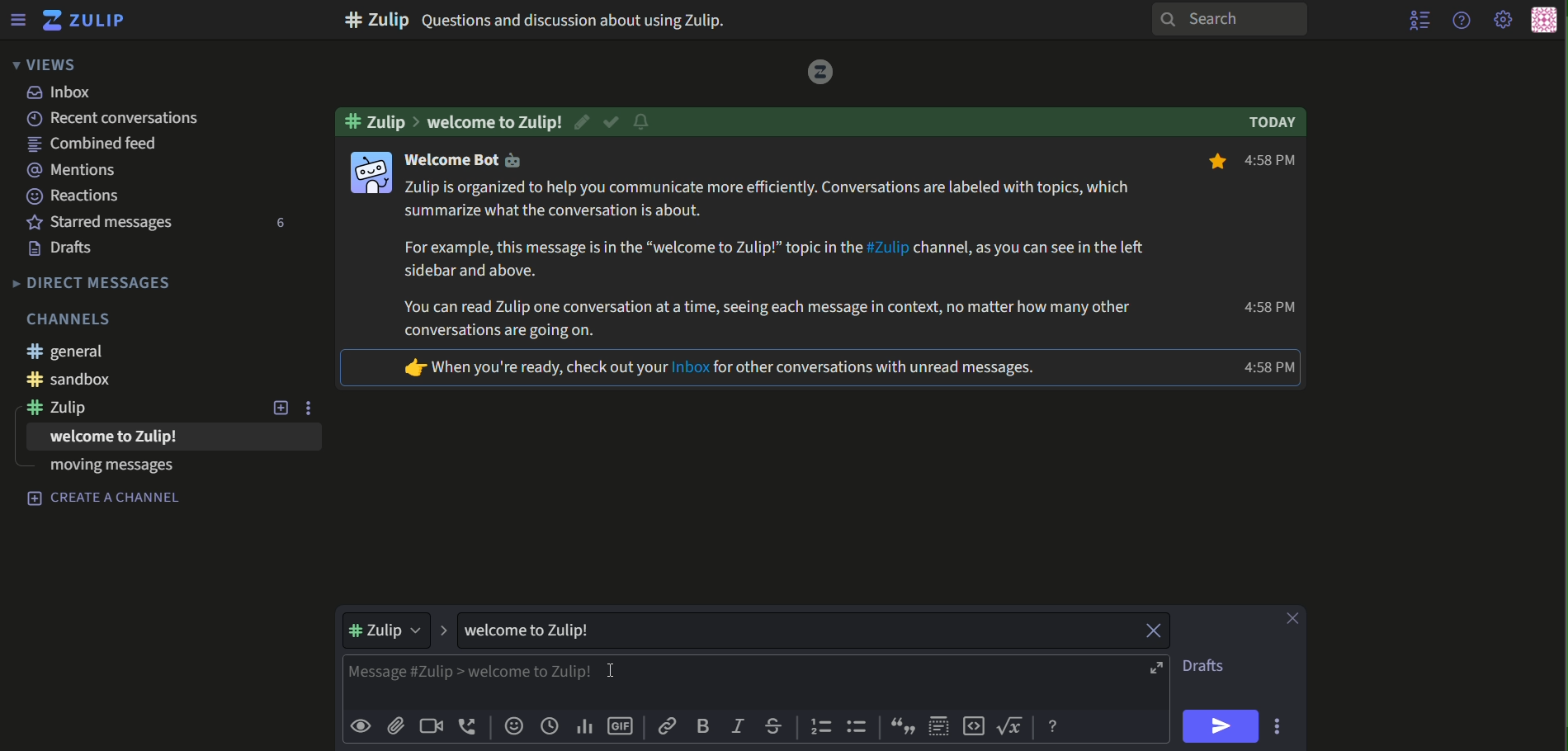 Image resolution: width=1568 pixels, height=751 pixels. I want to click on add file, so click(396, 727).